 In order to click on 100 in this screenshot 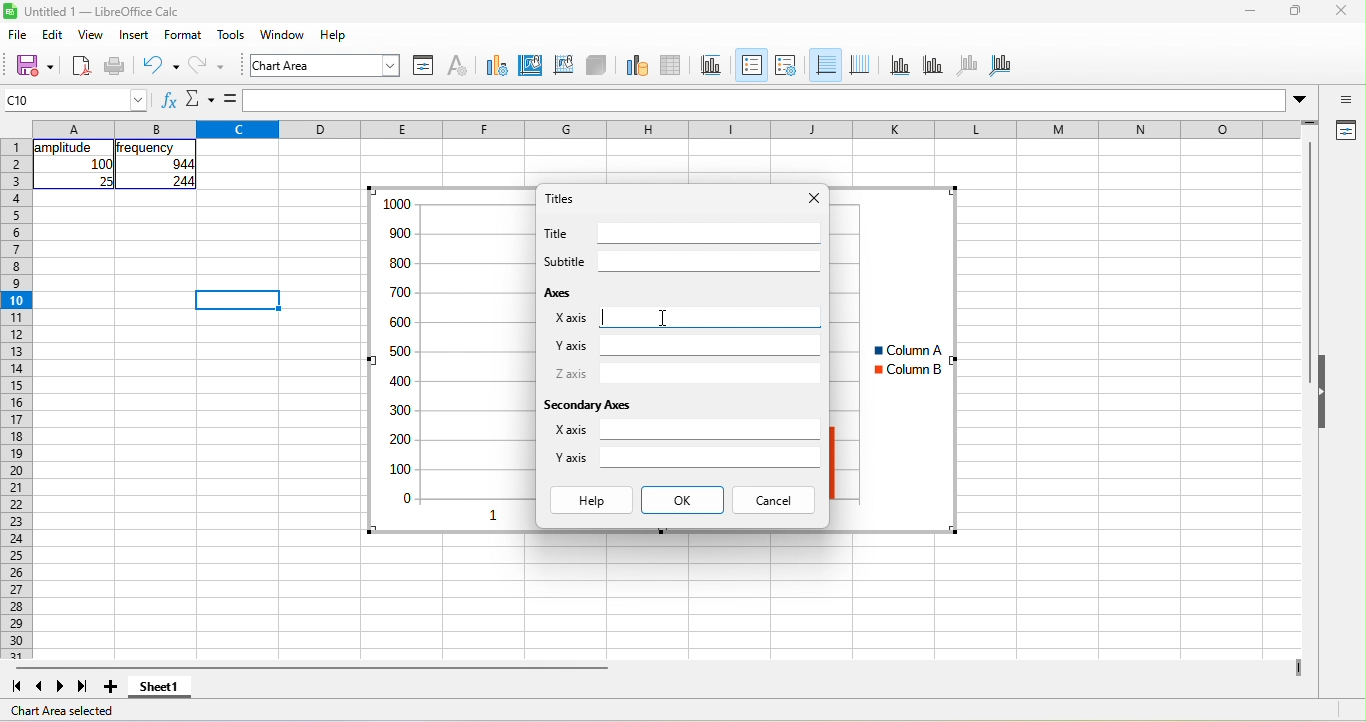, I will do `click(101, 164)`.